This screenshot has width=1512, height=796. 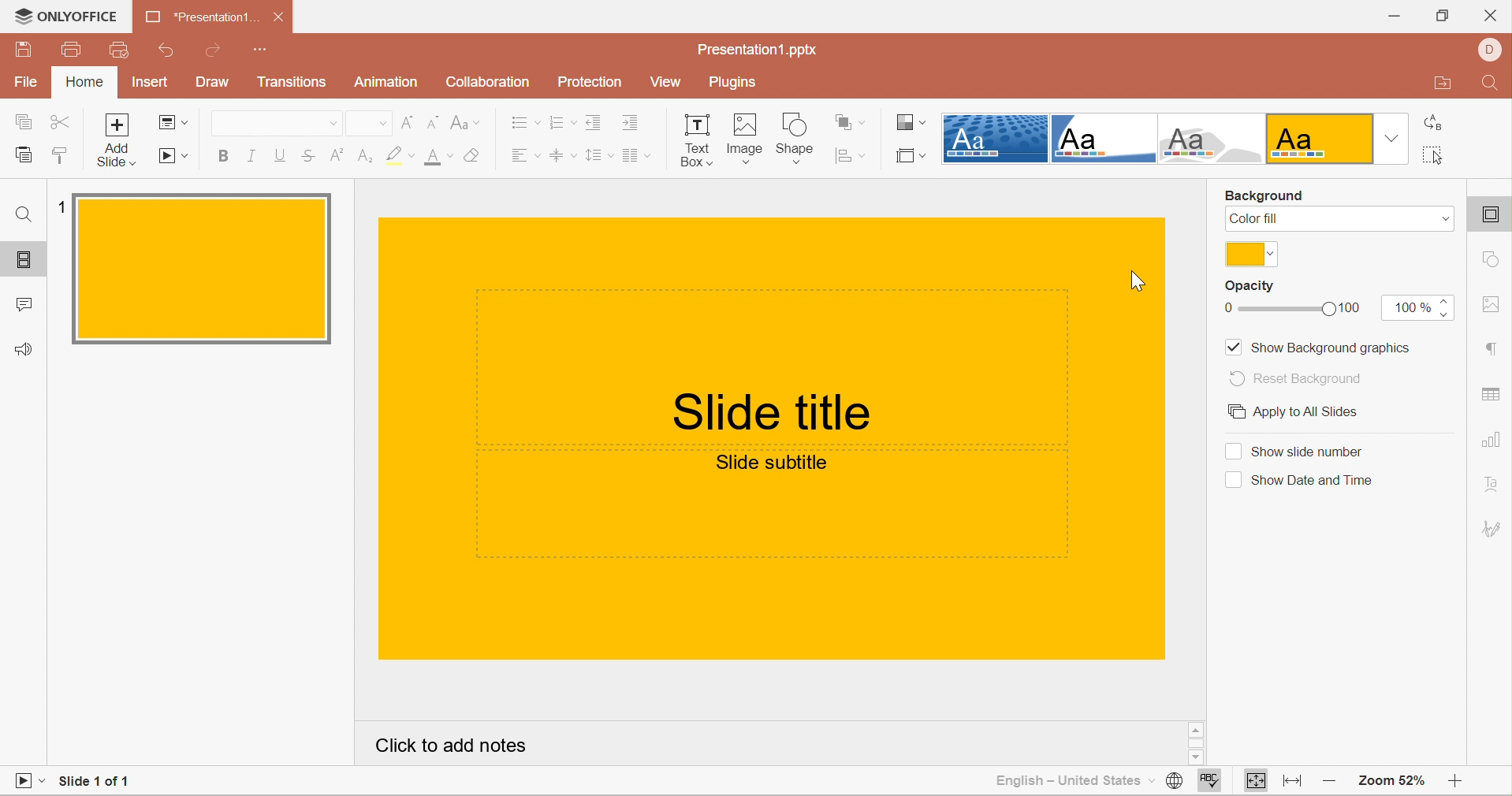 I want to click on Slide subtitle, so click(x=770, y=463).